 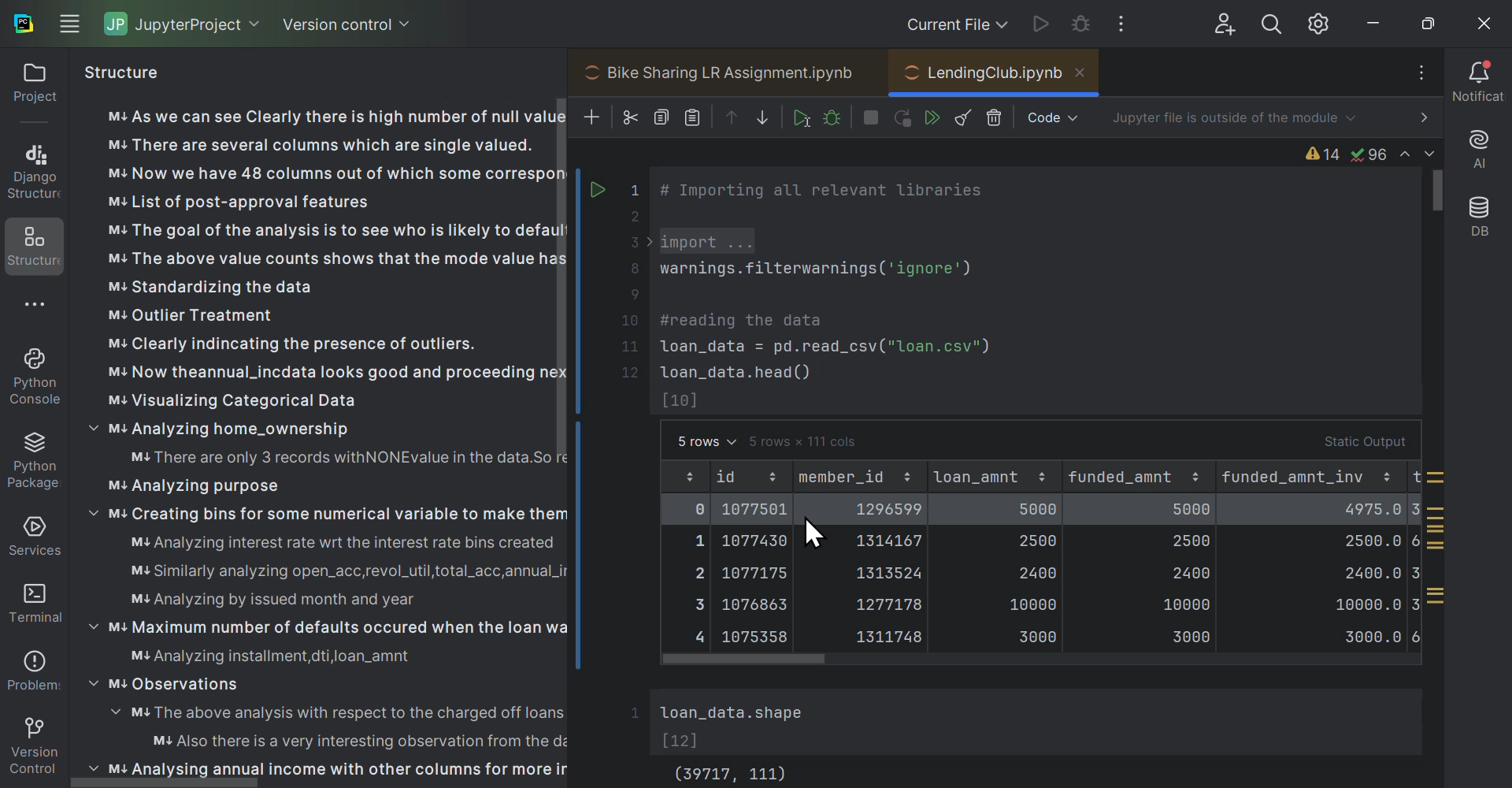 I want to click on A I assistant, so click(x=1480, y=151).